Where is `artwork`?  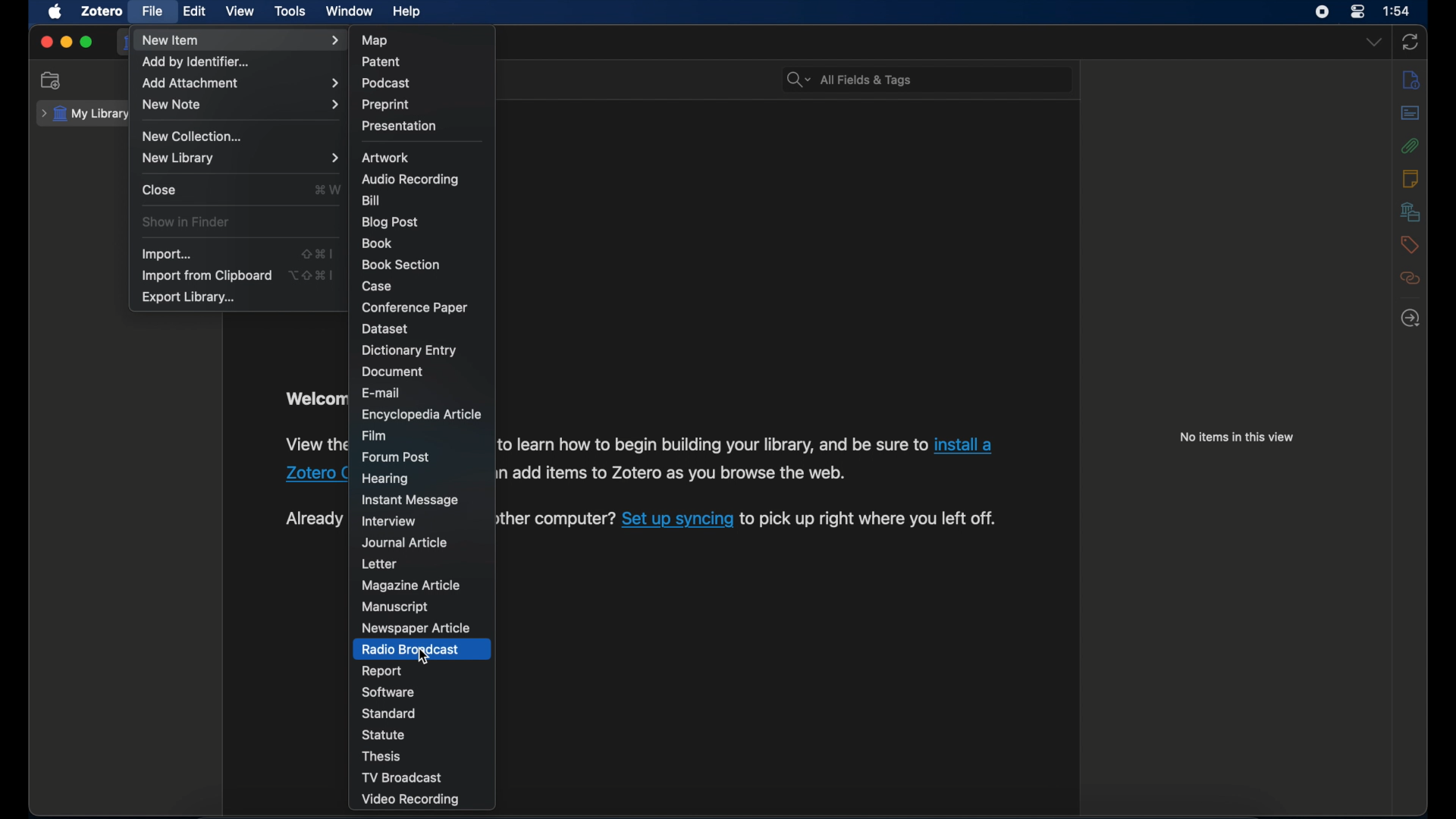 artwork is located at coordinates (387, 157).